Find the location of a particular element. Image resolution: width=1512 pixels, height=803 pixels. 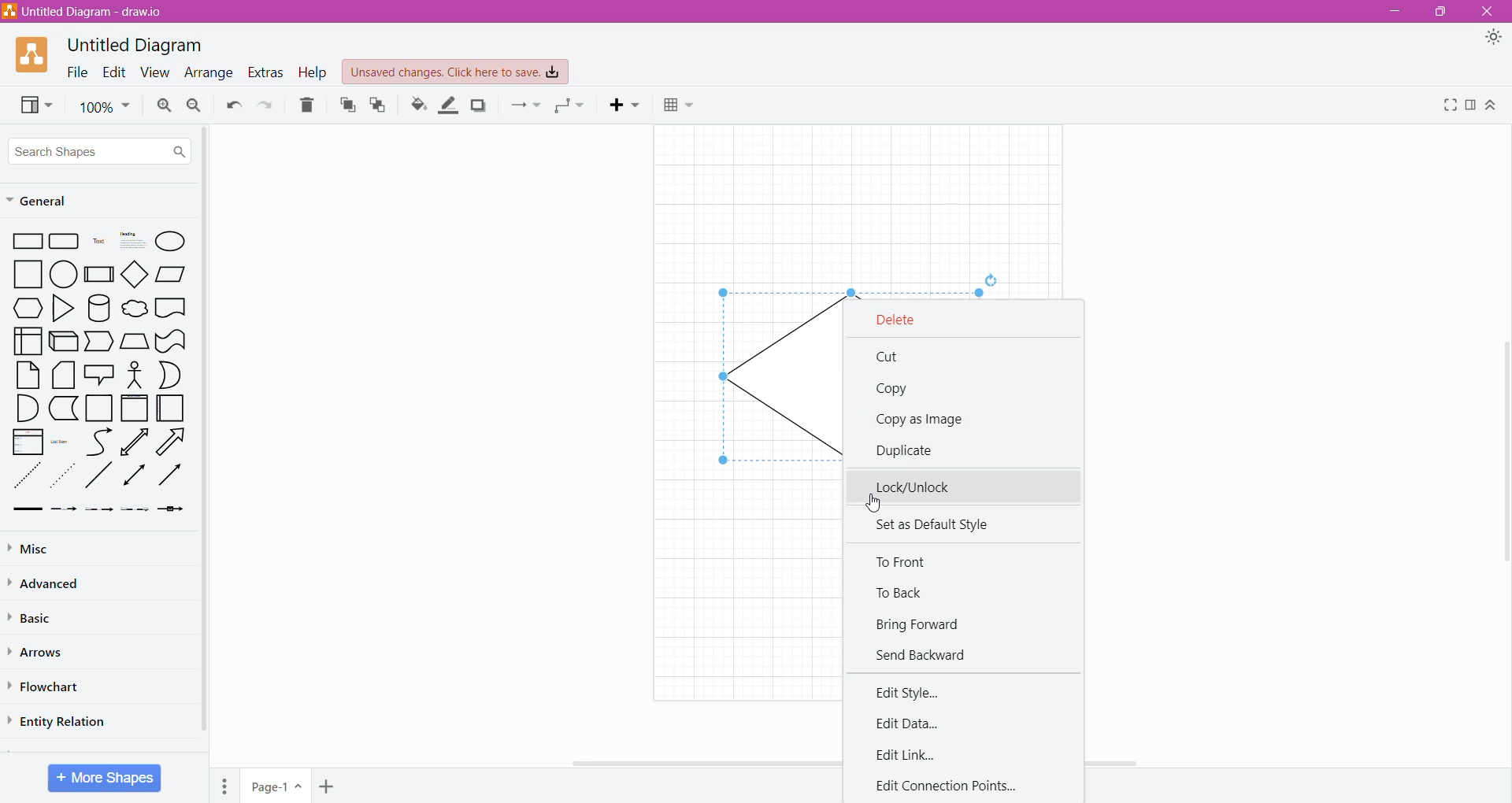

View is located at coordinates (154, 73).